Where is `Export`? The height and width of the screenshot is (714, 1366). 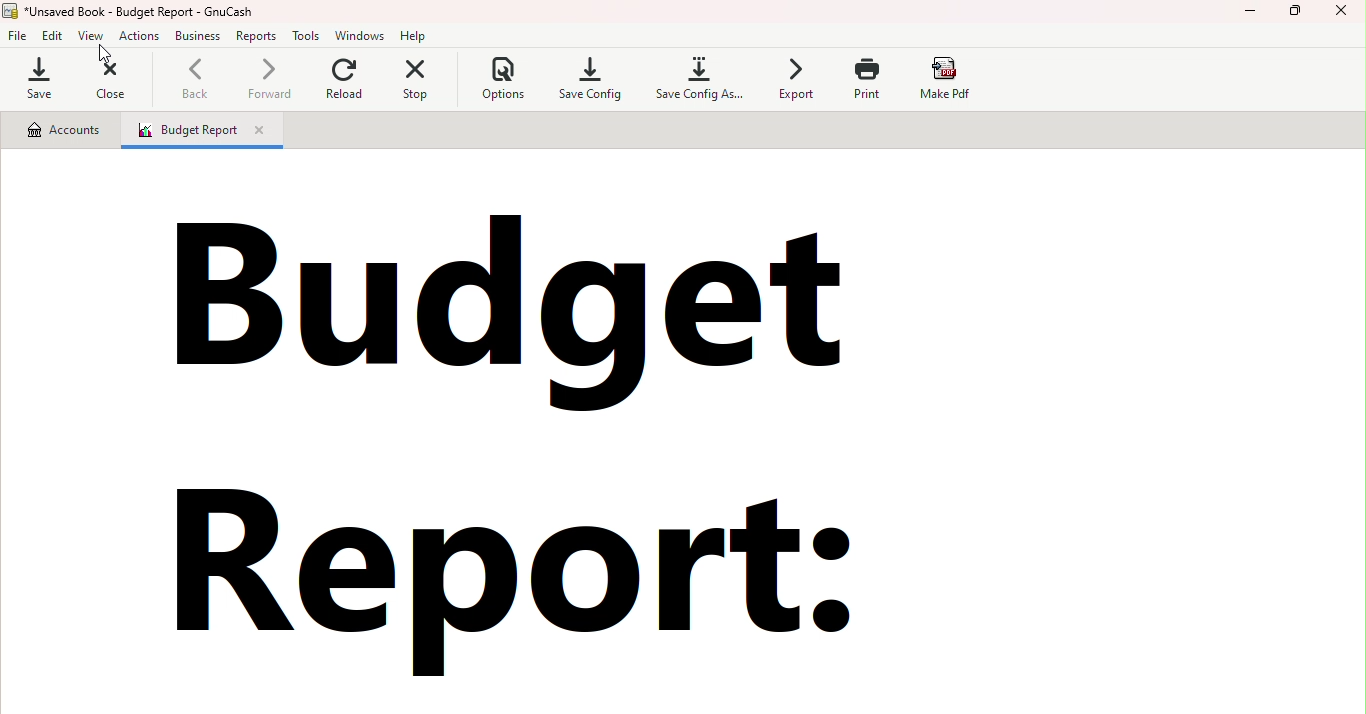
Export is located at coordinates (795, 81).